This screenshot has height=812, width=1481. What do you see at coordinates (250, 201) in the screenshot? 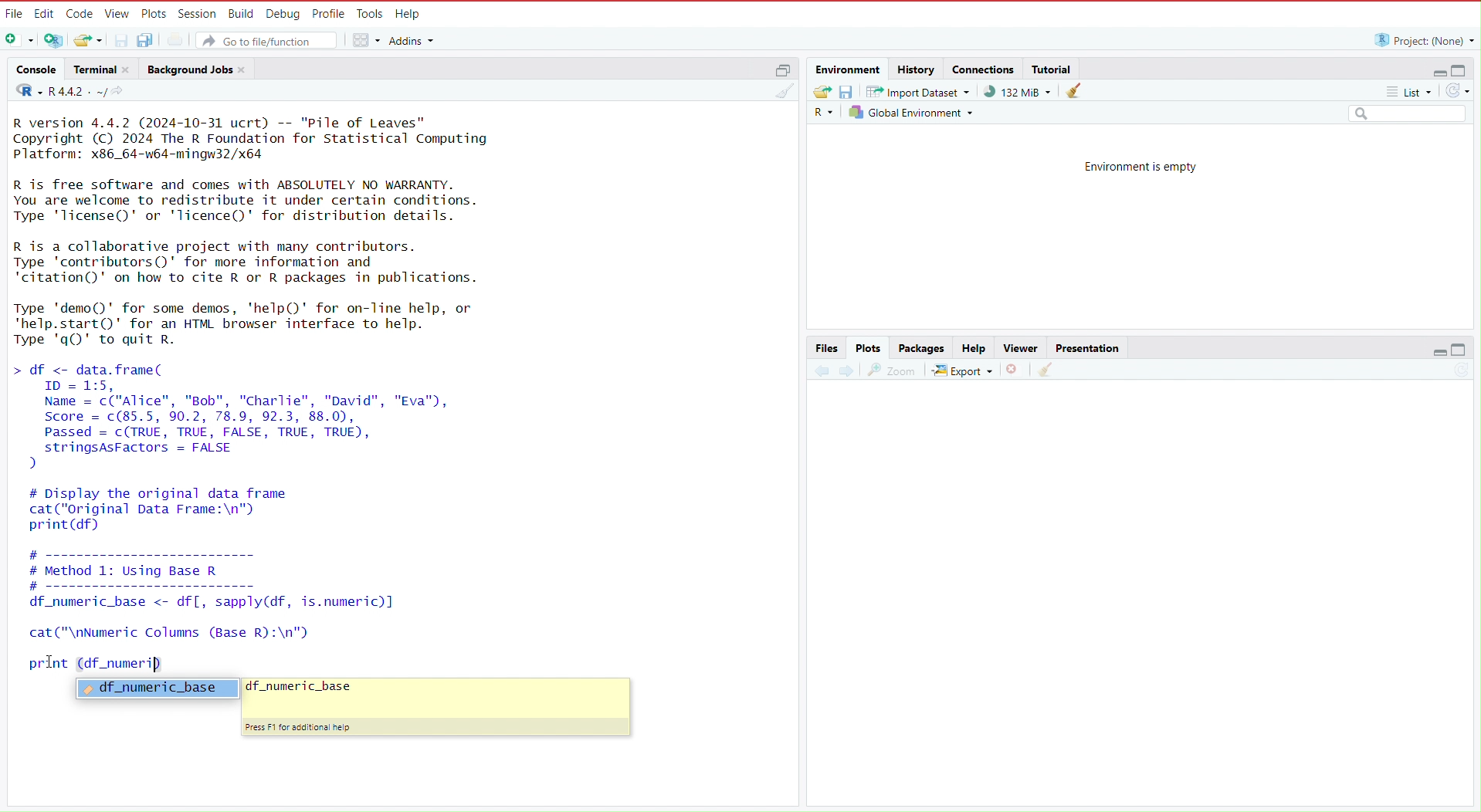
I see `R is free software and comes with ABSOLUTELY NO WARRANTY.
You are welcome to redistribute it under certain conditions.
Type 'licenseQ' or 'lTicence()' for distribution details.` at bounding box center [250, 201].